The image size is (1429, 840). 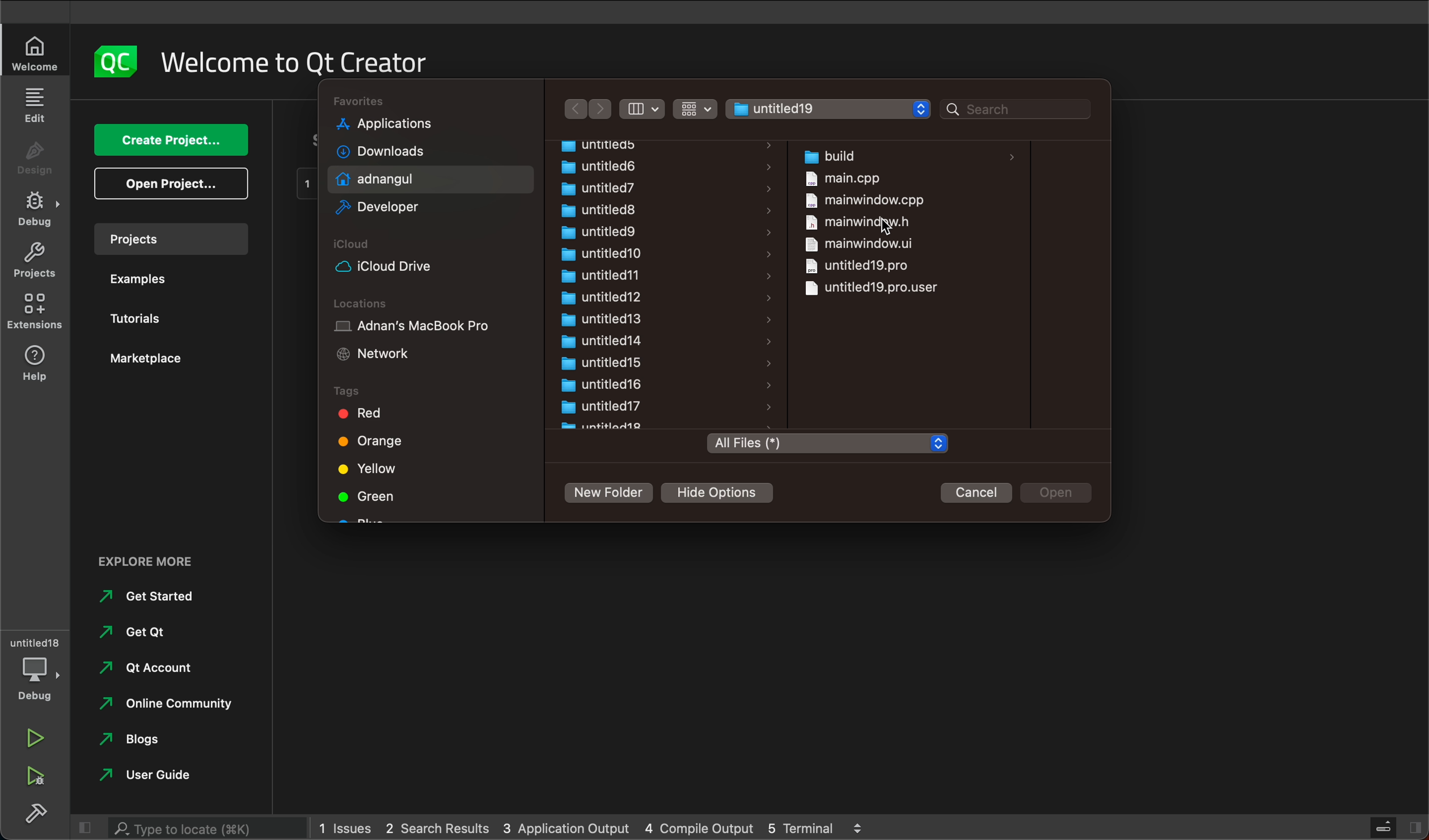 I want to click on tags, so click(x=429, y=391).